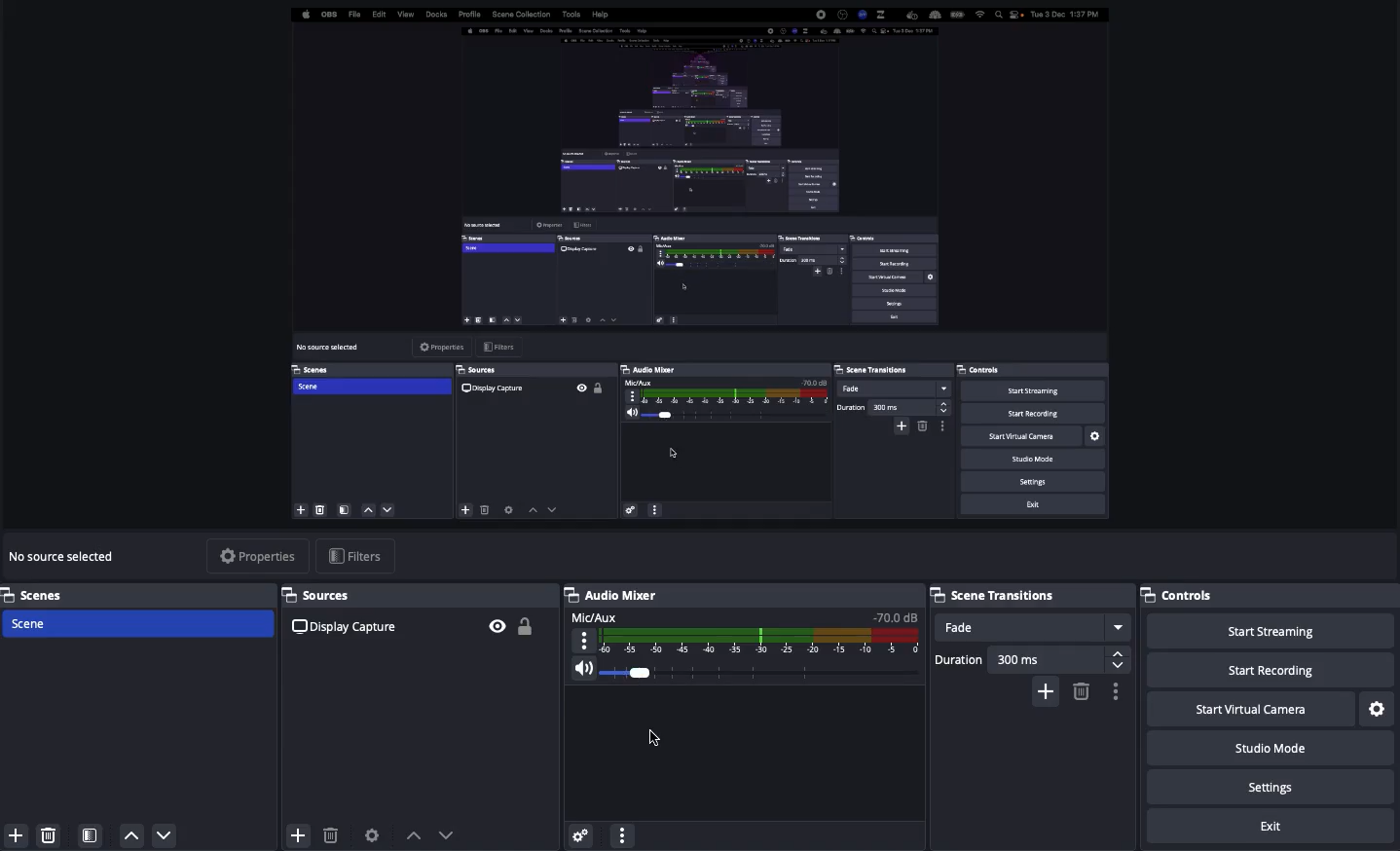 The height and width of the screenshot is (851, 1400). I want to click on Filters, so click(355, 556).